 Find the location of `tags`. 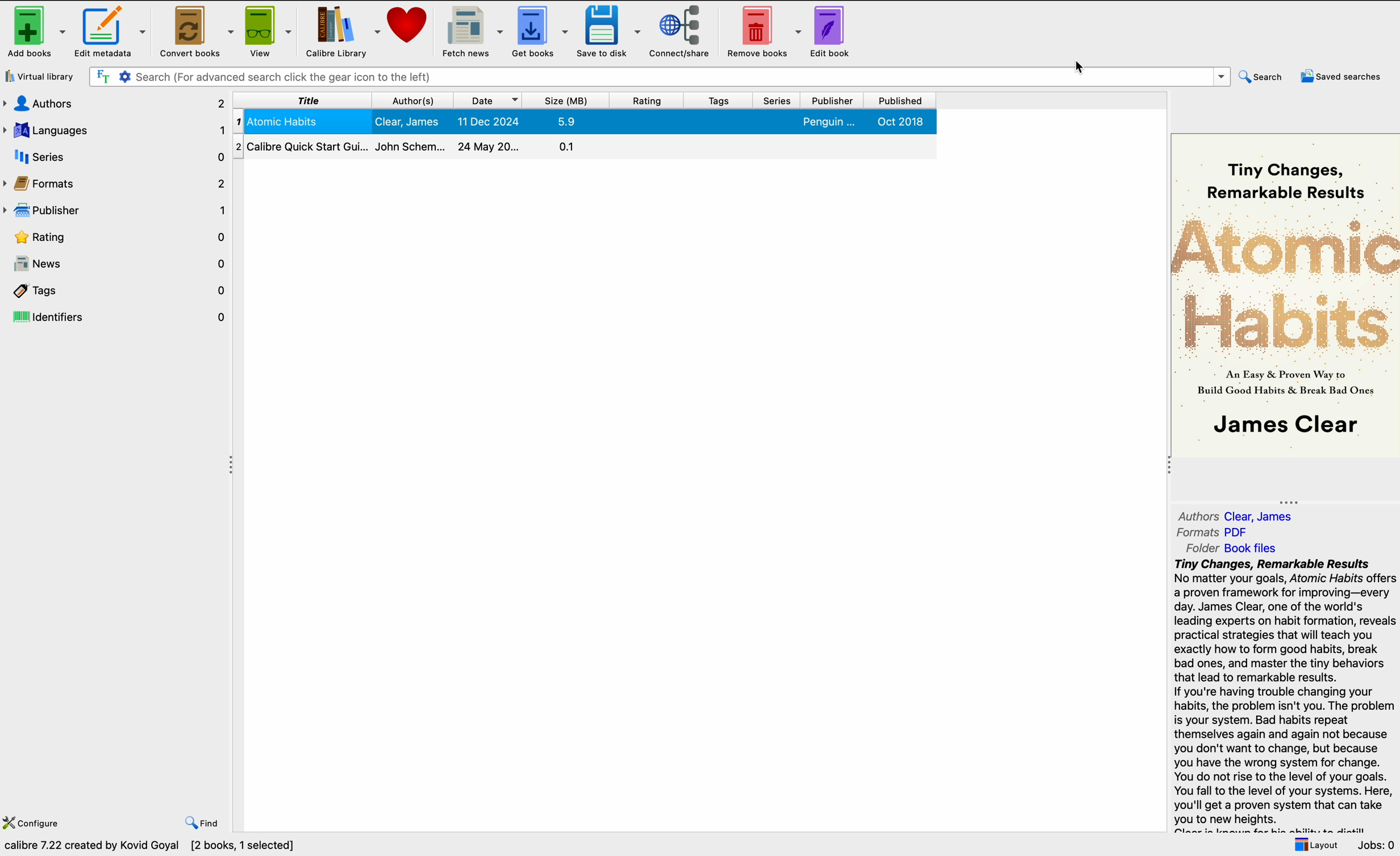

tags is located at coordinates (719, 101).